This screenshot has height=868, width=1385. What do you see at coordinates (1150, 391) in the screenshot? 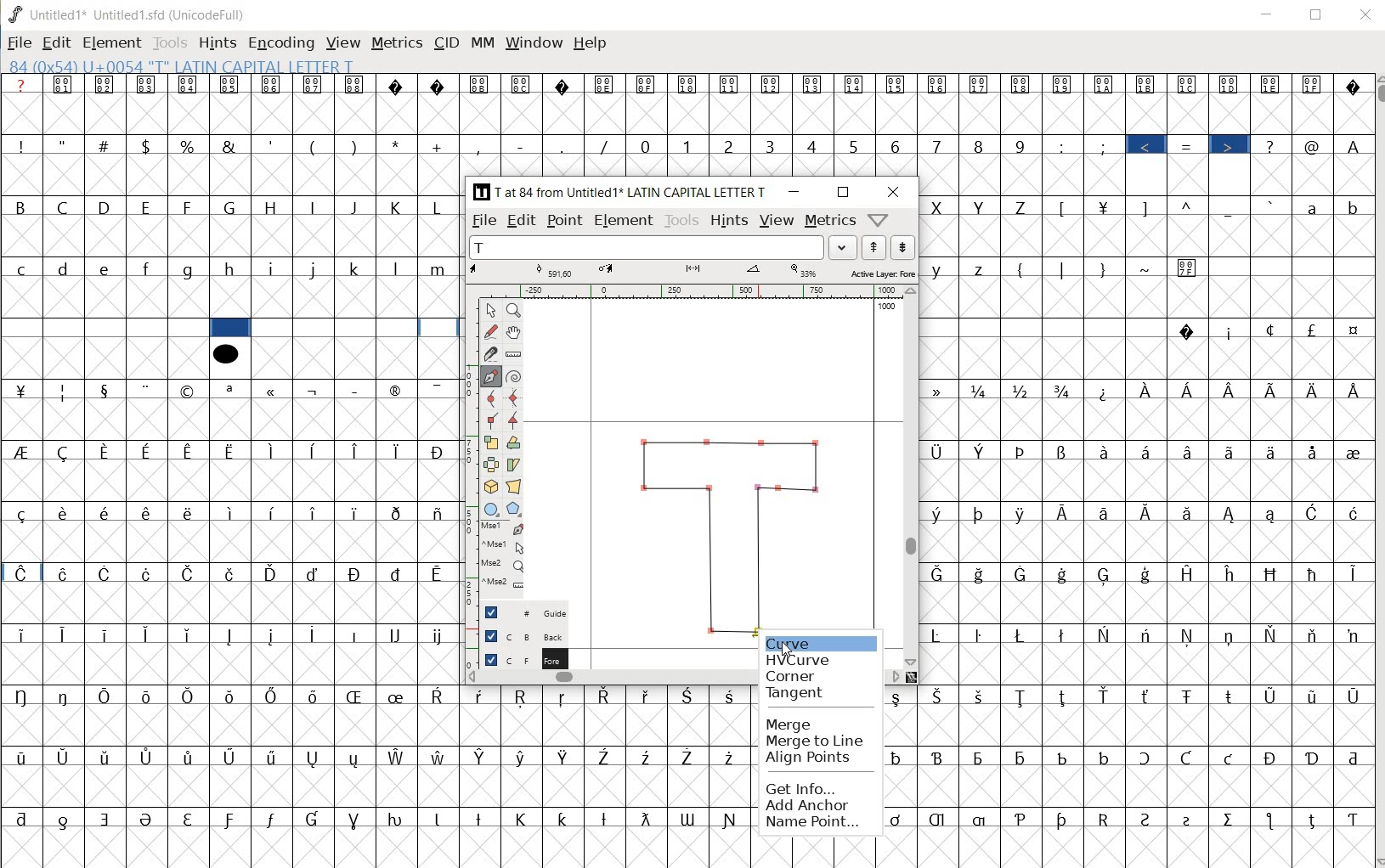
I see `Symbol` at bounding box center [1150, 391].